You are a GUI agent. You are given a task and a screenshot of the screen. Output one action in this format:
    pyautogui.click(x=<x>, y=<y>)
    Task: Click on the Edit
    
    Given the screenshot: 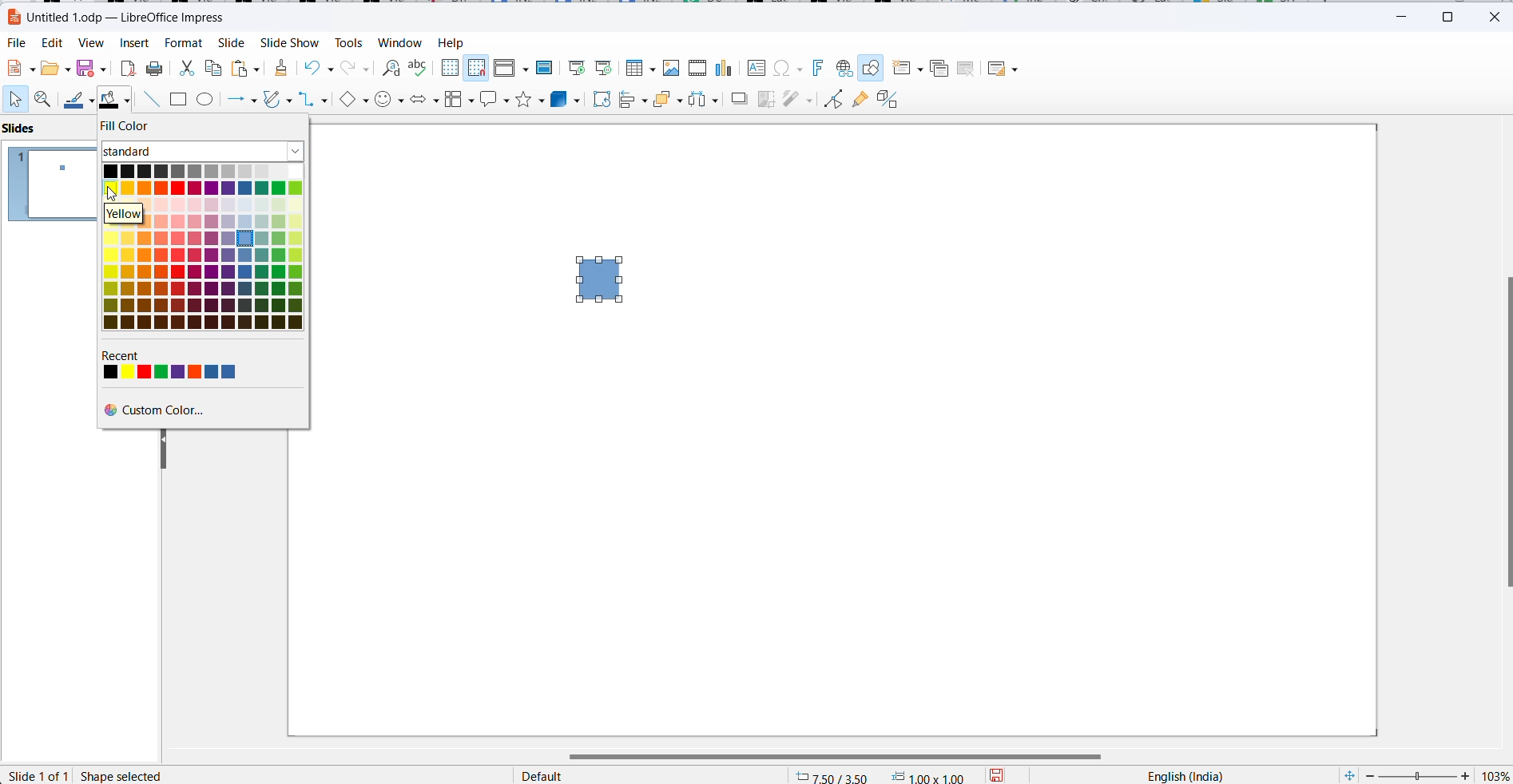 What is the action you would take?
    pyautogui.click(x=54, y=42)
    